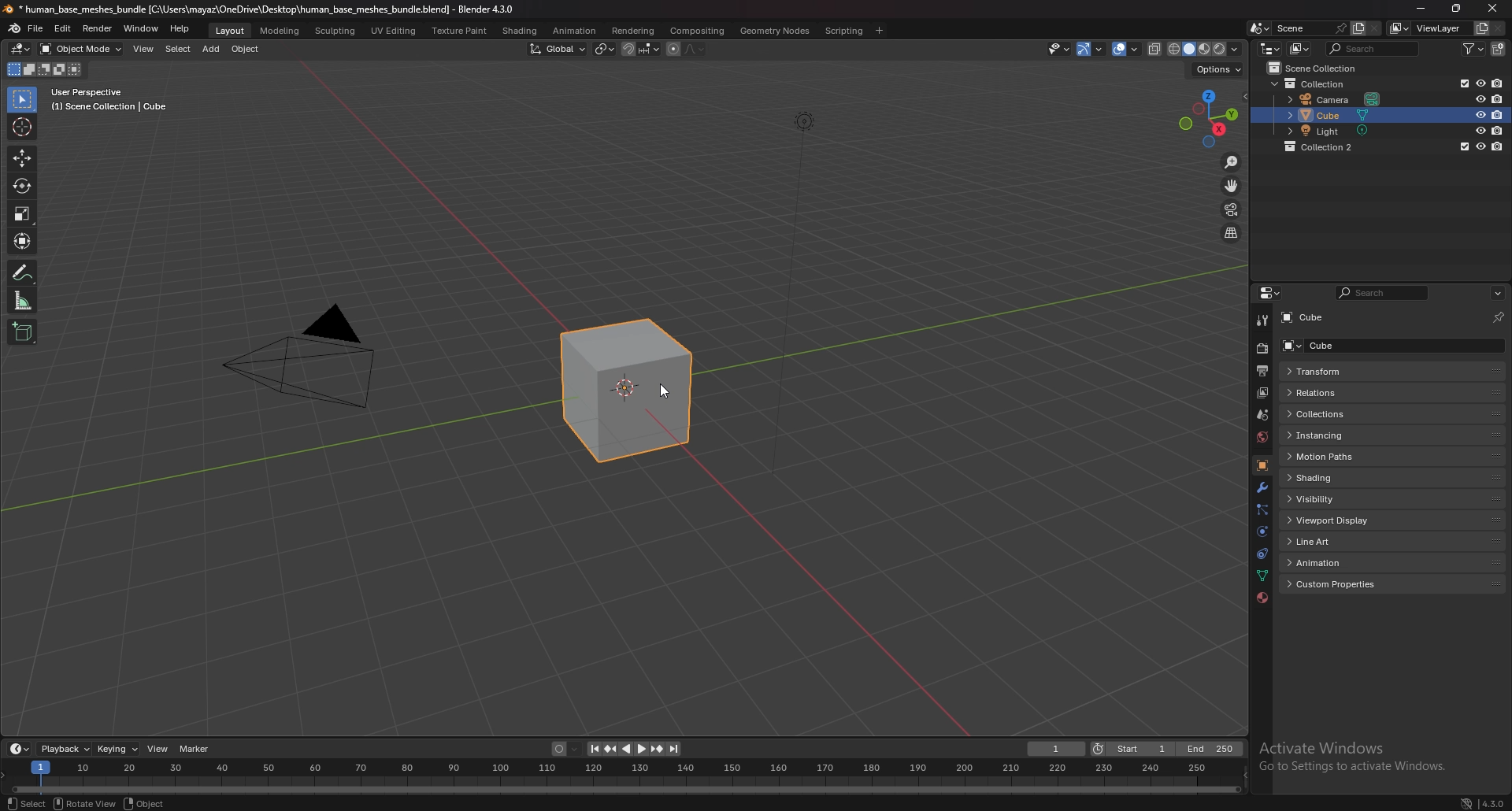  I want to click on instancing, so click(1338, 435).